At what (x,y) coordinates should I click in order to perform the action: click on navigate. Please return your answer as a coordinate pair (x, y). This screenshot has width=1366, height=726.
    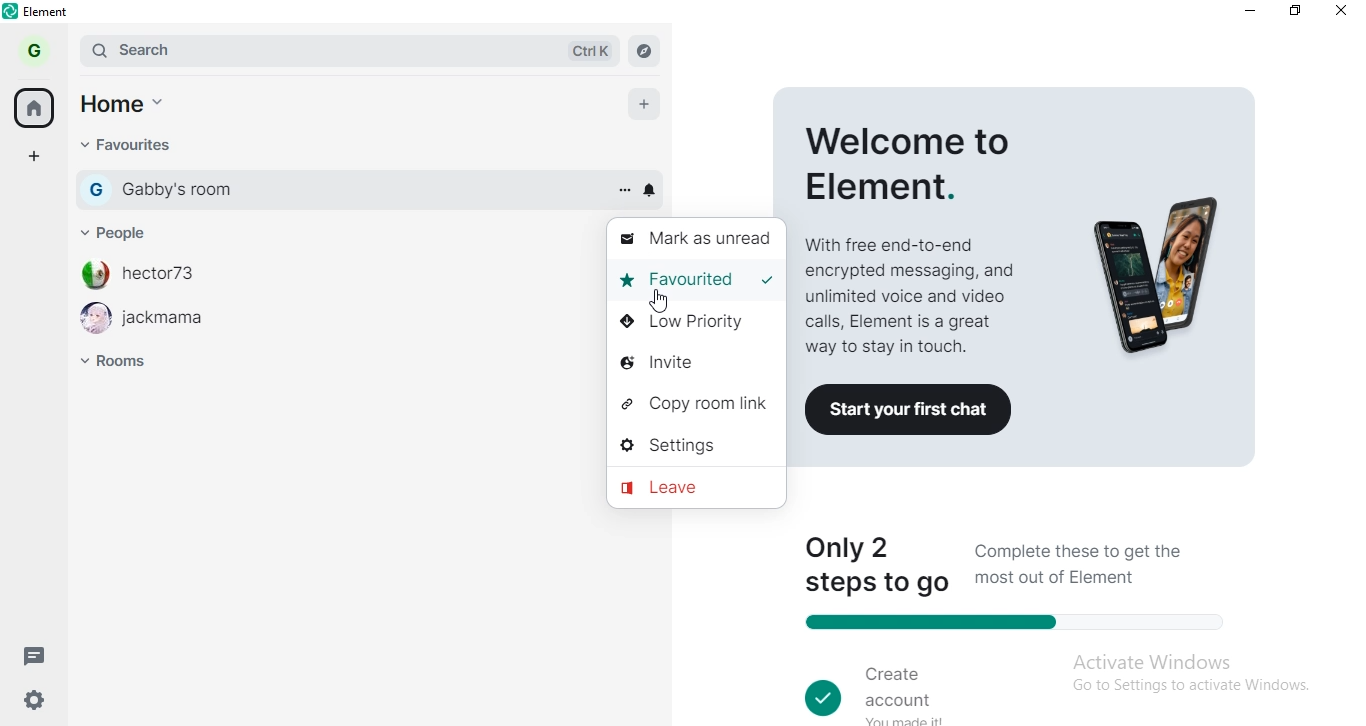
    Looking at the image, I should click on (647, 51).